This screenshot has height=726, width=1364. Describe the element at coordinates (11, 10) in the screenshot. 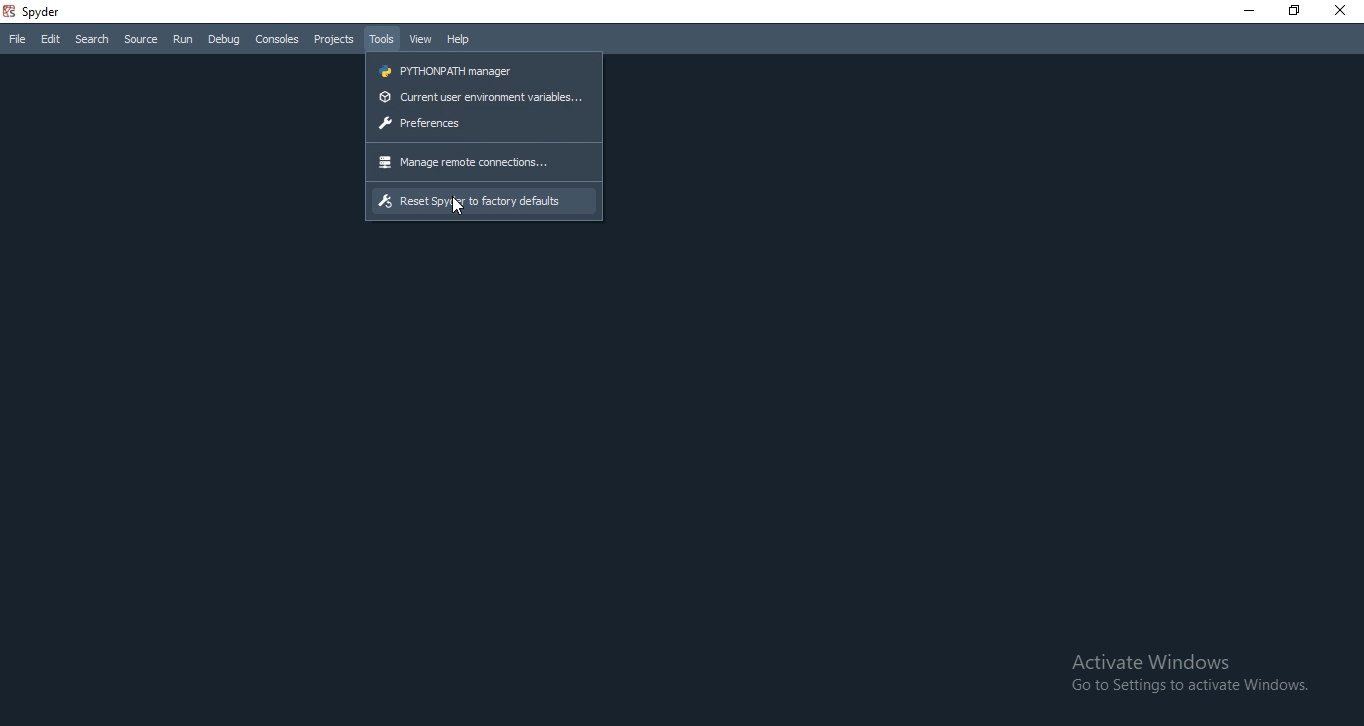

I see `spyder logo` at that location.